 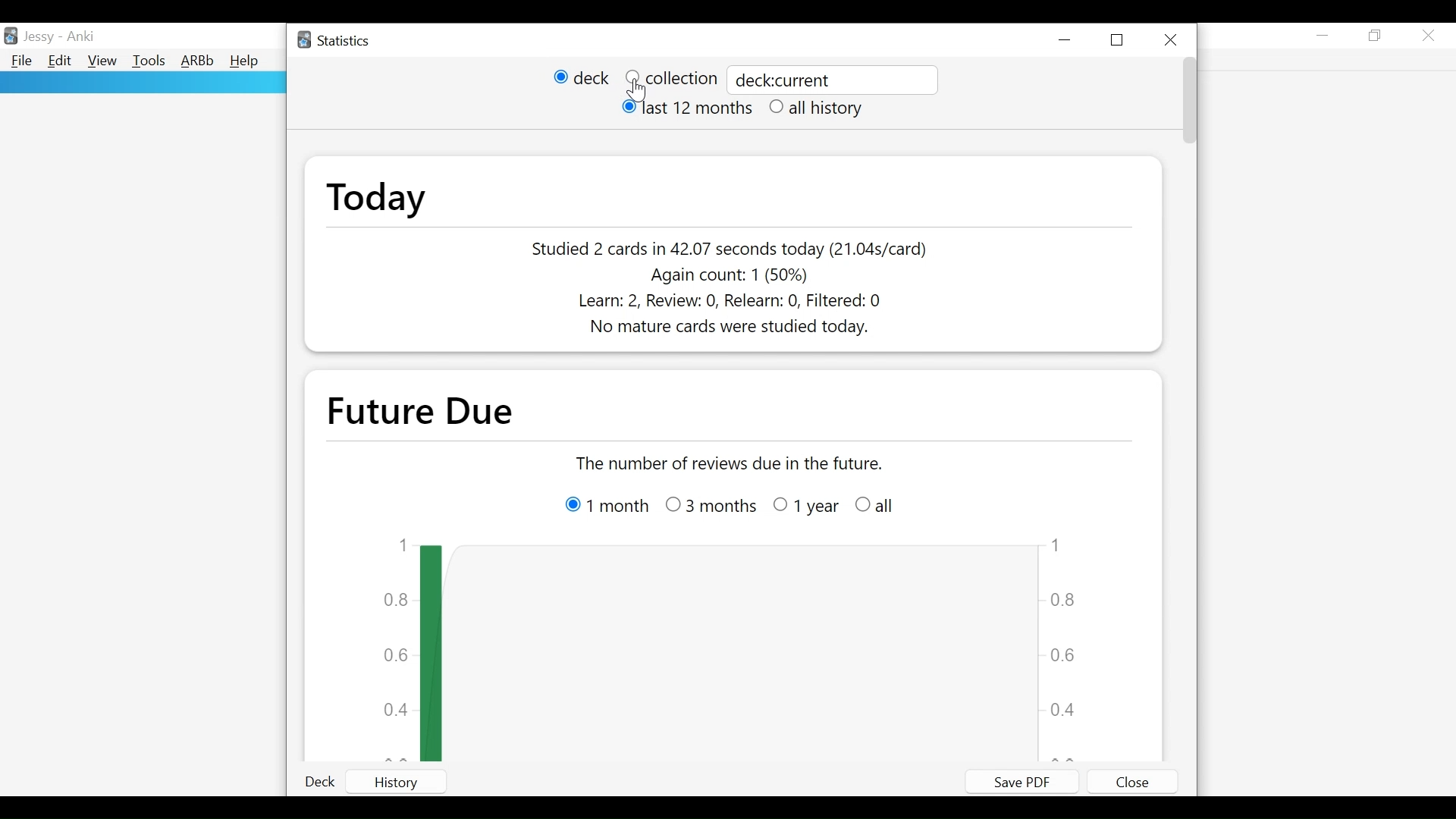 What do you see at coordinates (80, 37) in the screenshot?
I see `Anki` at bounding box center [80, 37].